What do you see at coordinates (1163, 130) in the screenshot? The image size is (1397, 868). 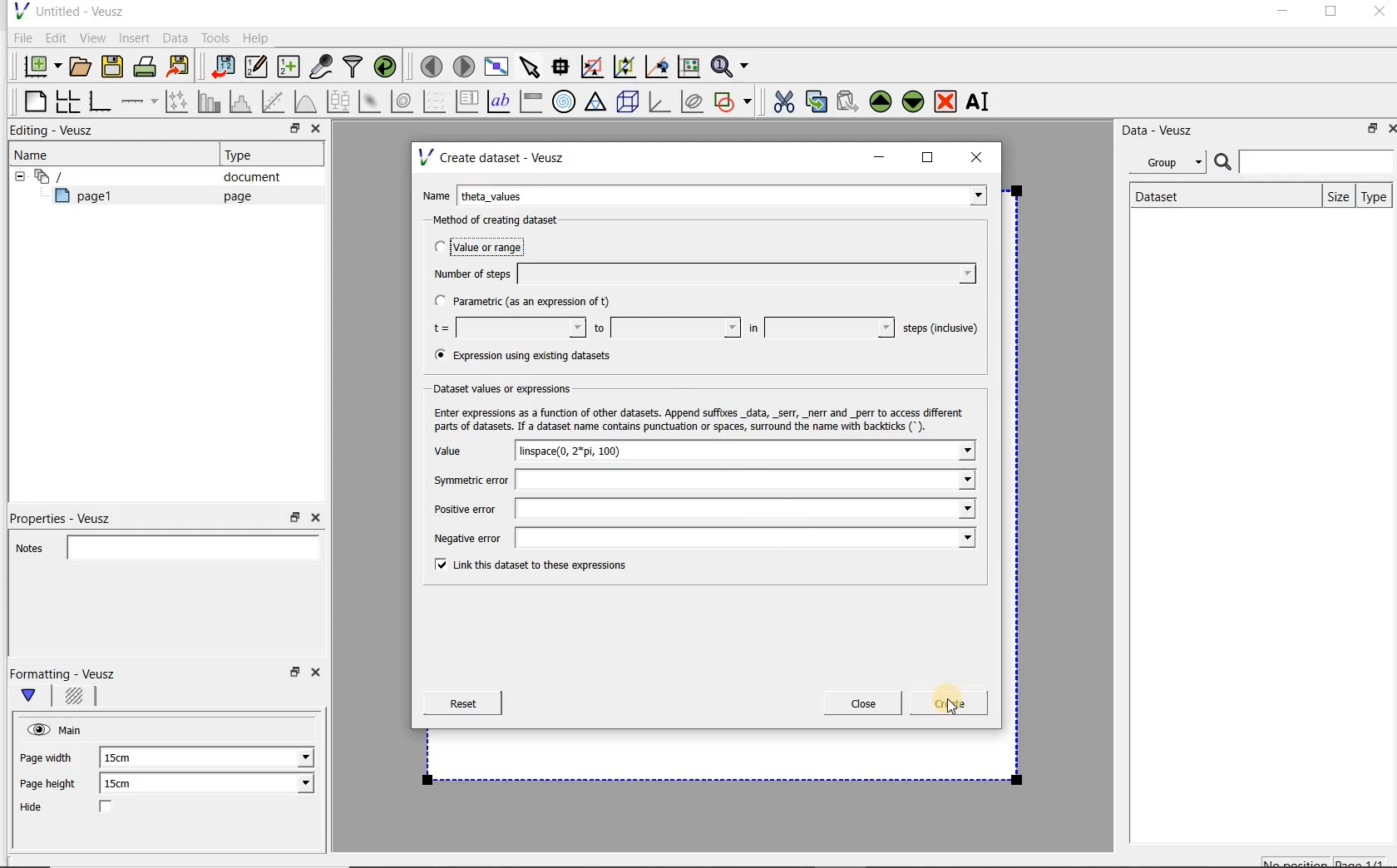 I see `Data - Veusz` at bounding box center [1163, 130].